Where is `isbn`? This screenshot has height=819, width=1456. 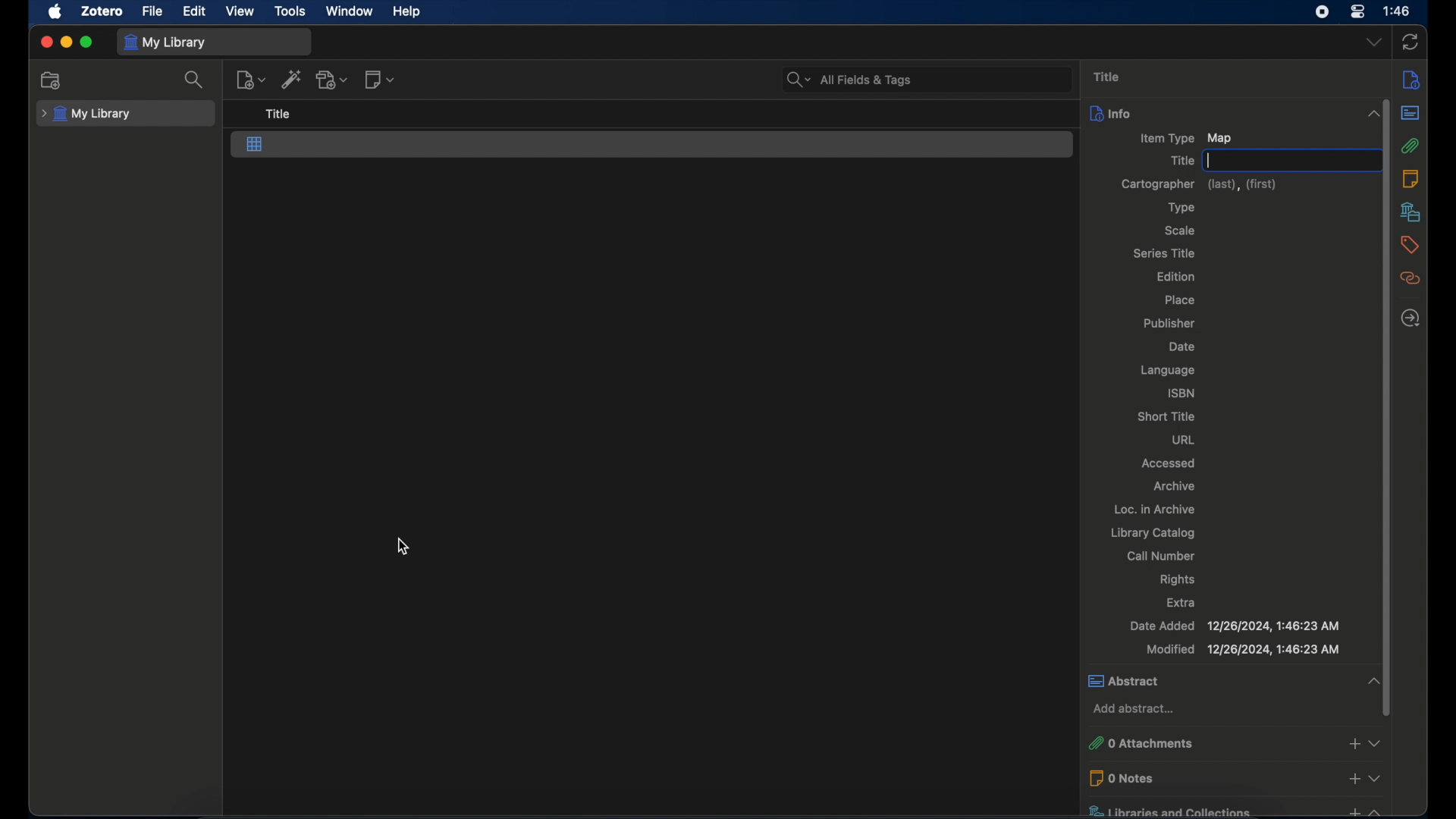
isbn is located at coordinates (1181, 393).